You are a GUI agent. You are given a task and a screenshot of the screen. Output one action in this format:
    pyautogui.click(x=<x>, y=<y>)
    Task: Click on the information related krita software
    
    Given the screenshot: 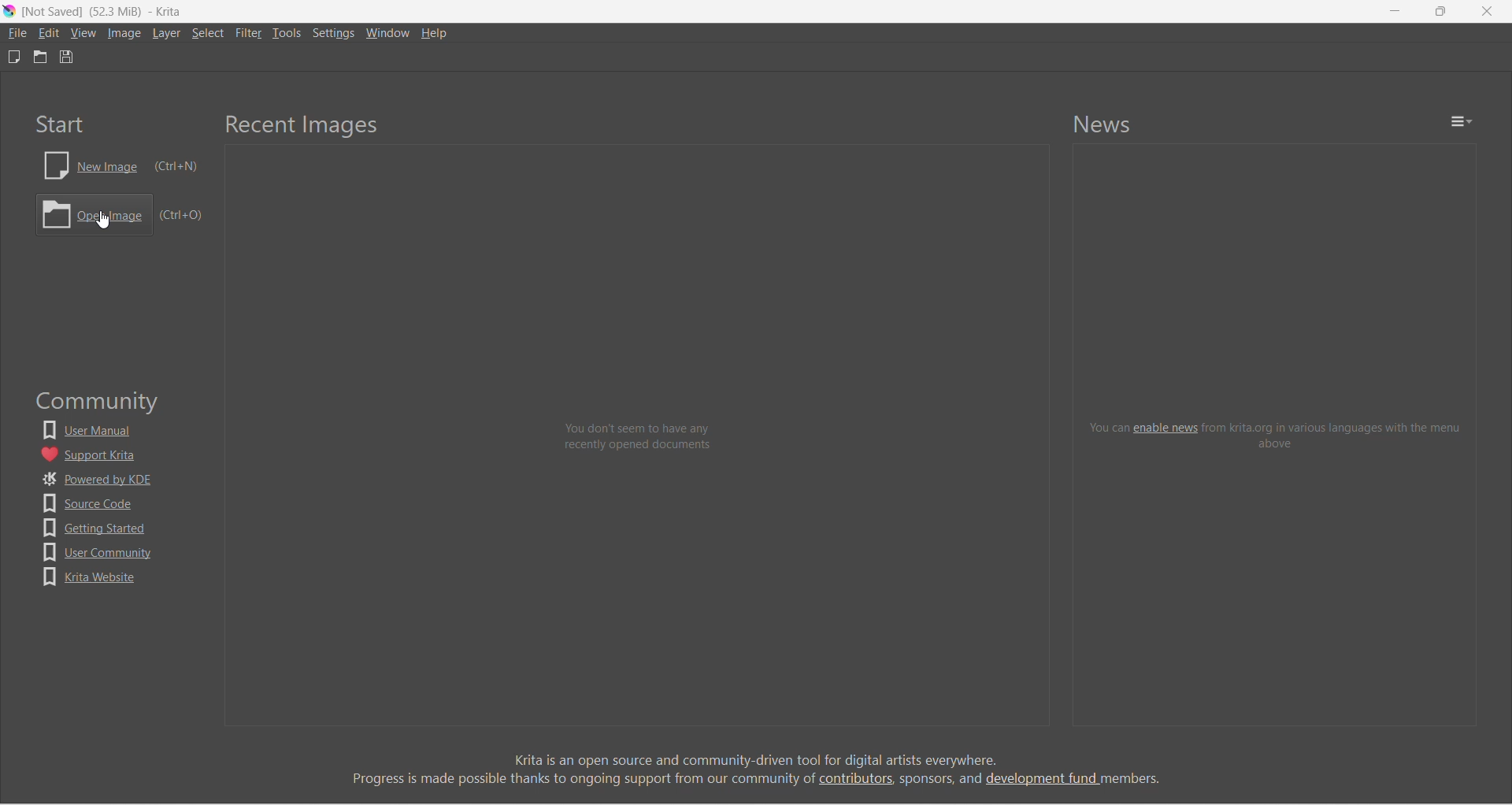 What is the action you would take?
    pyautogui.click(x=755, y=769)
    